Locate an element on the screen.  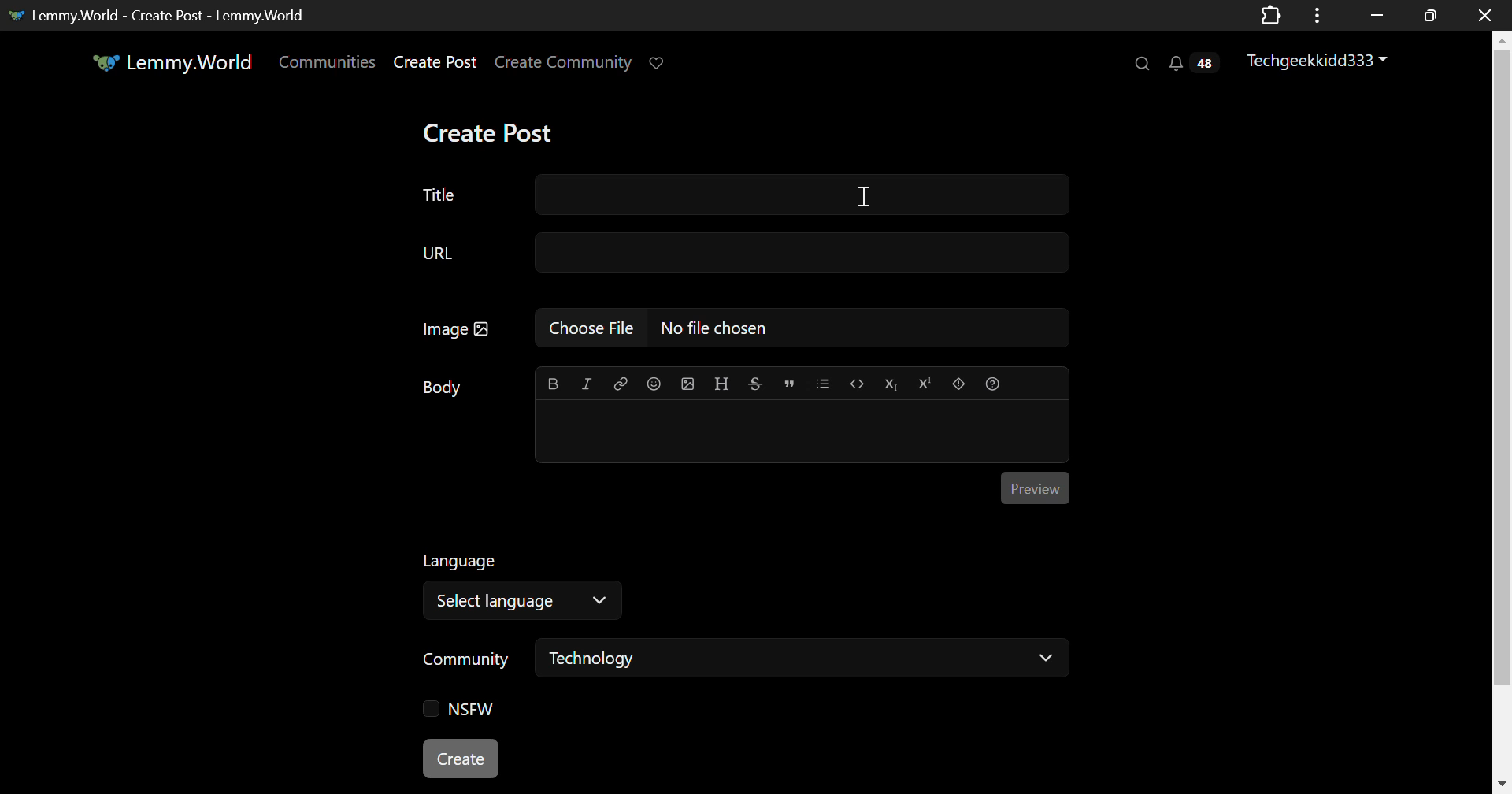
header is located at coordinates (719, 382).